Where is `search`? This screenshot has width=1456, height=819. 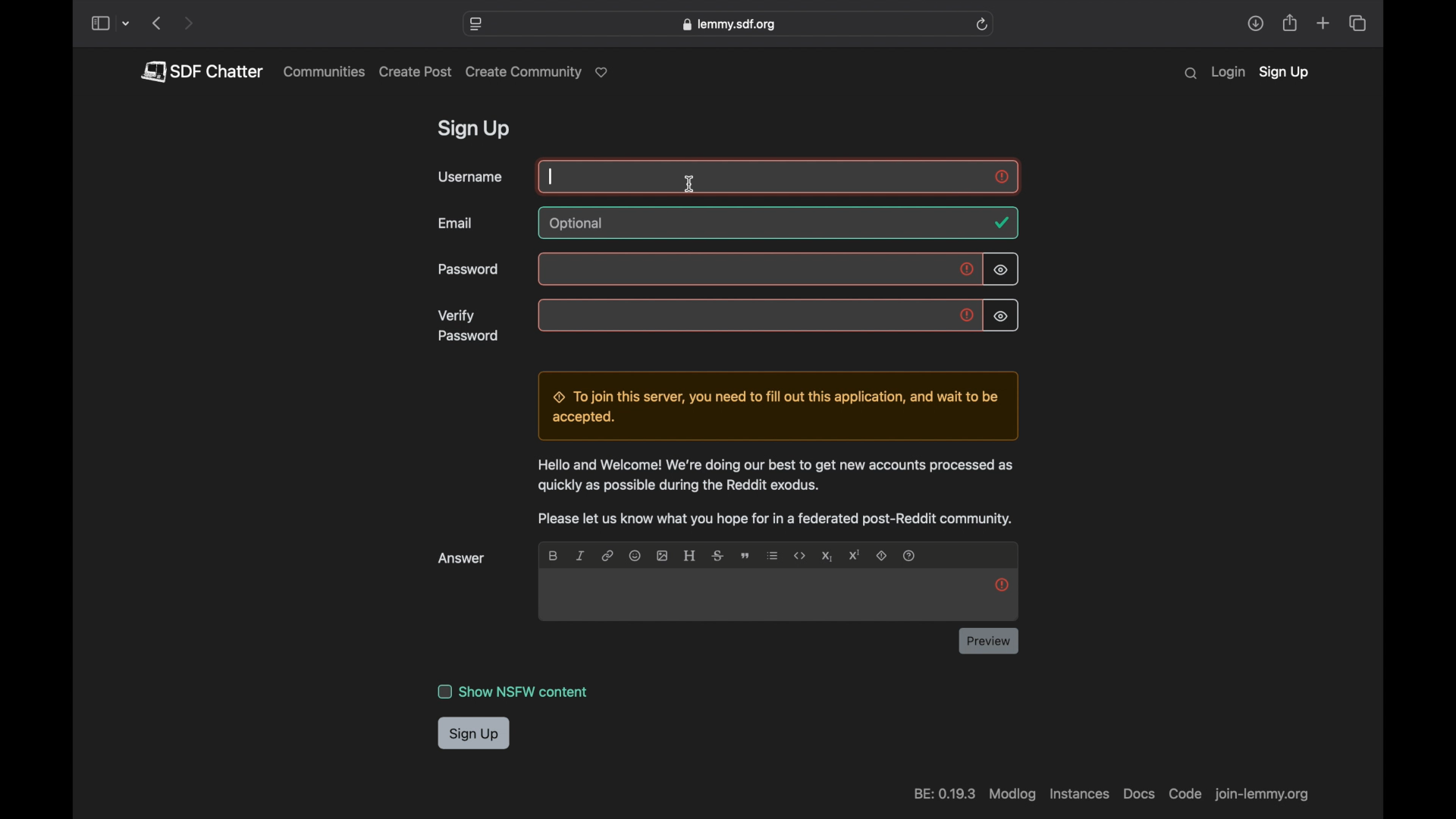 search is located at coordinates (1191, 74).